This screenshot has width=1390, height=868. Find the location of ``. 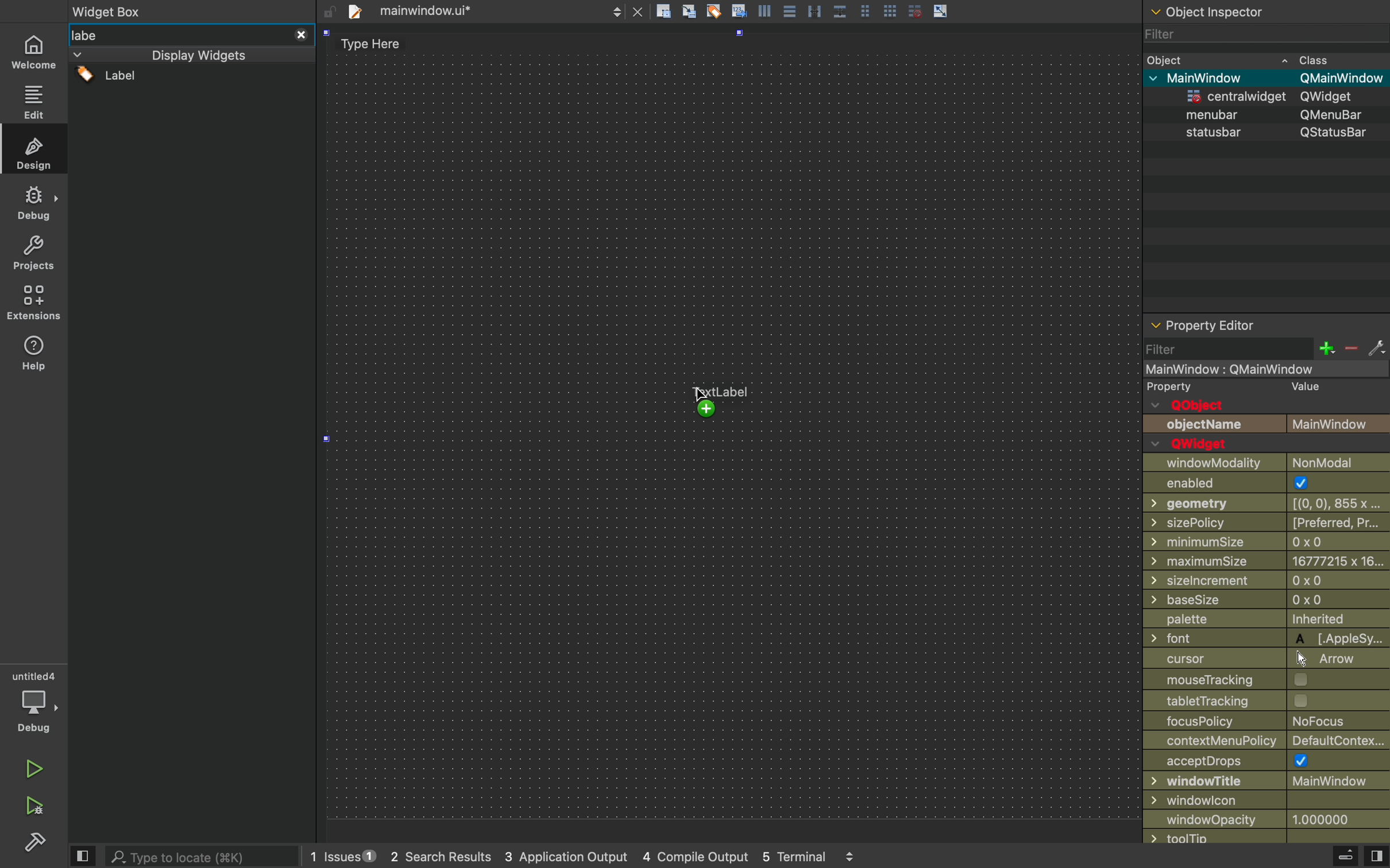

 is located at coordinates (87, 855).